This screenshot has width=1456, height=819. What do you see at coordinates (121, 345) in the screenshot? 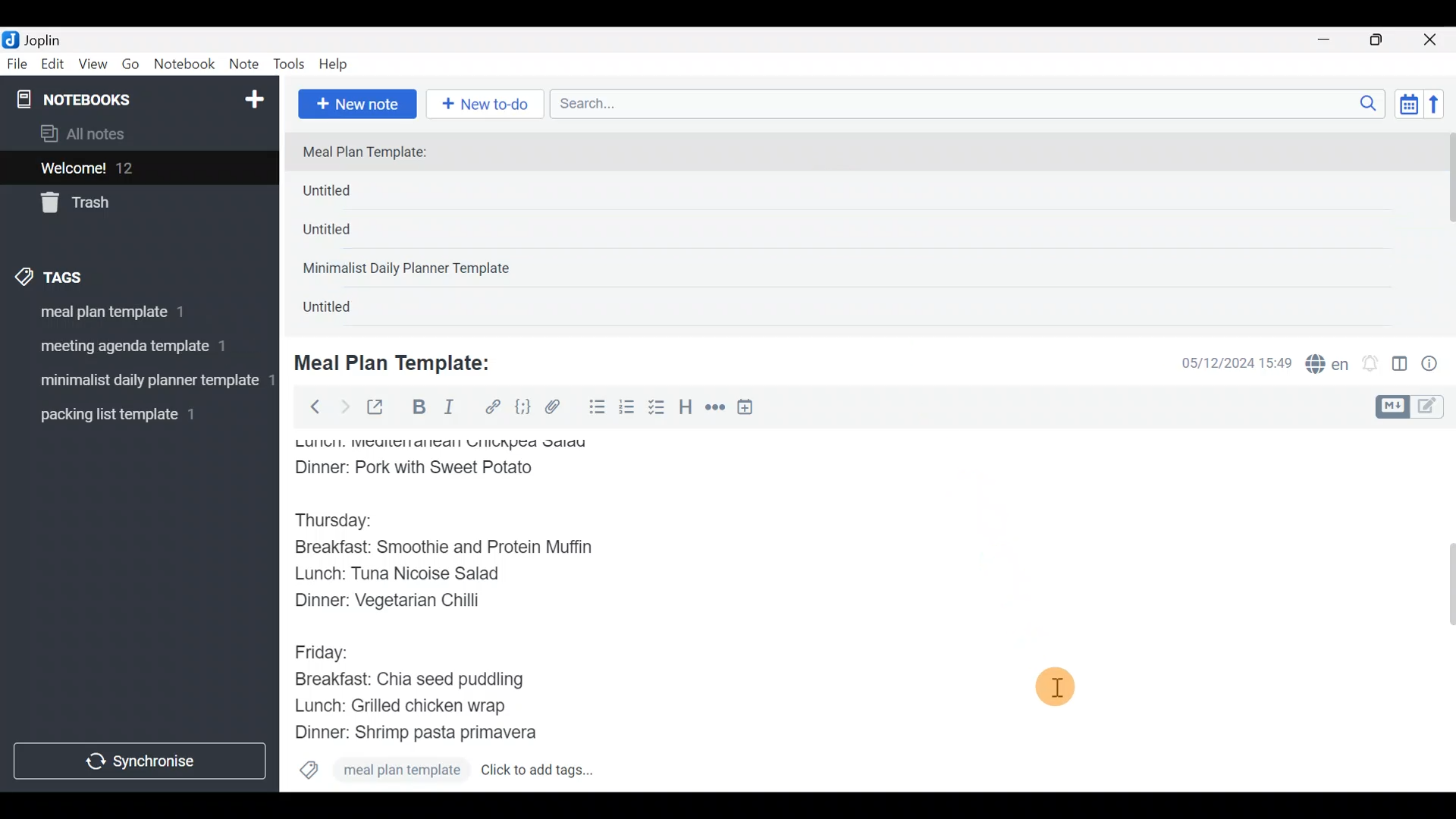
I see `Tag 2` at bounding box center [121, 345].